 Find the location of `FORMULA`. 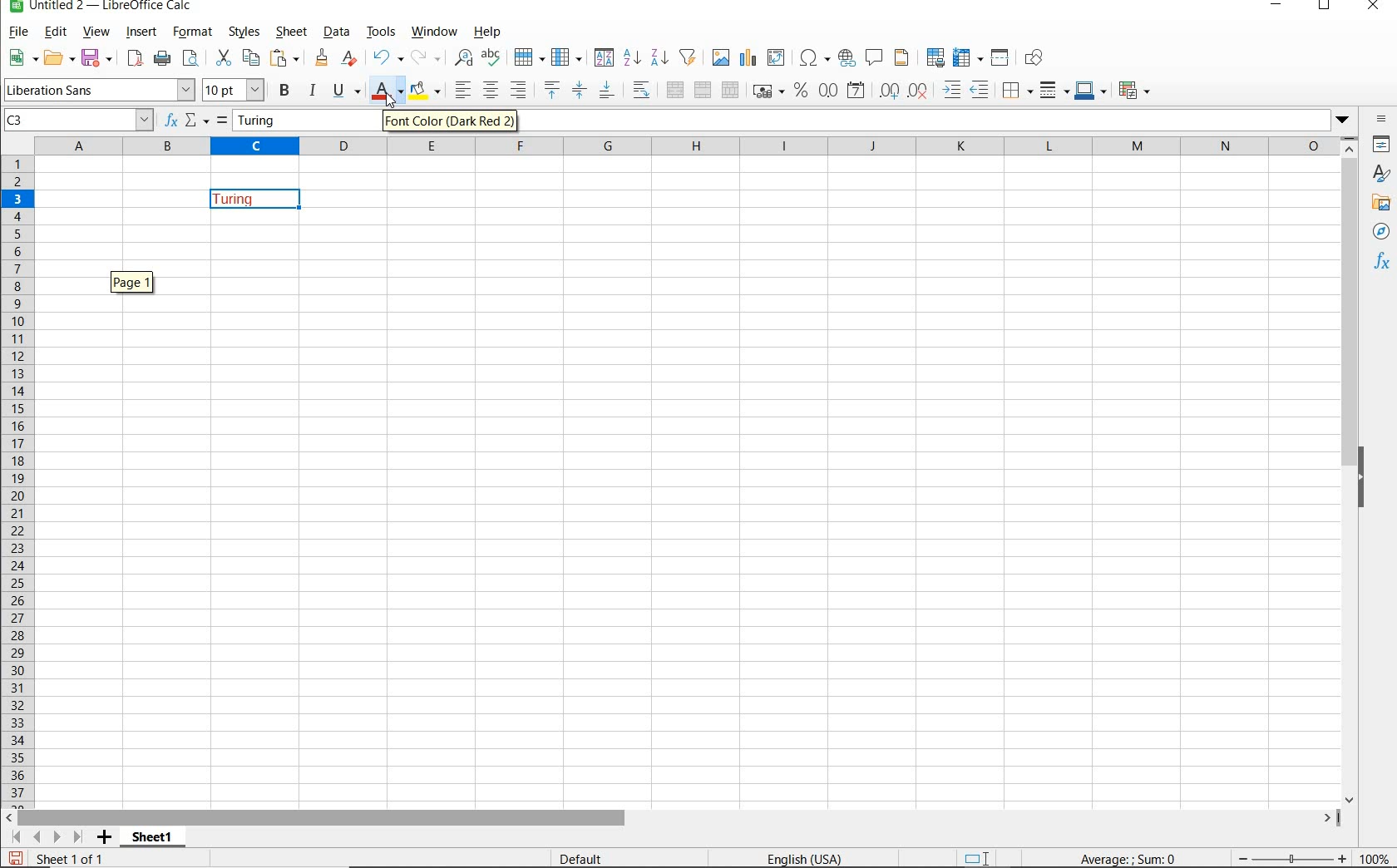

FORMULA is located at coordinates (1127, 859).